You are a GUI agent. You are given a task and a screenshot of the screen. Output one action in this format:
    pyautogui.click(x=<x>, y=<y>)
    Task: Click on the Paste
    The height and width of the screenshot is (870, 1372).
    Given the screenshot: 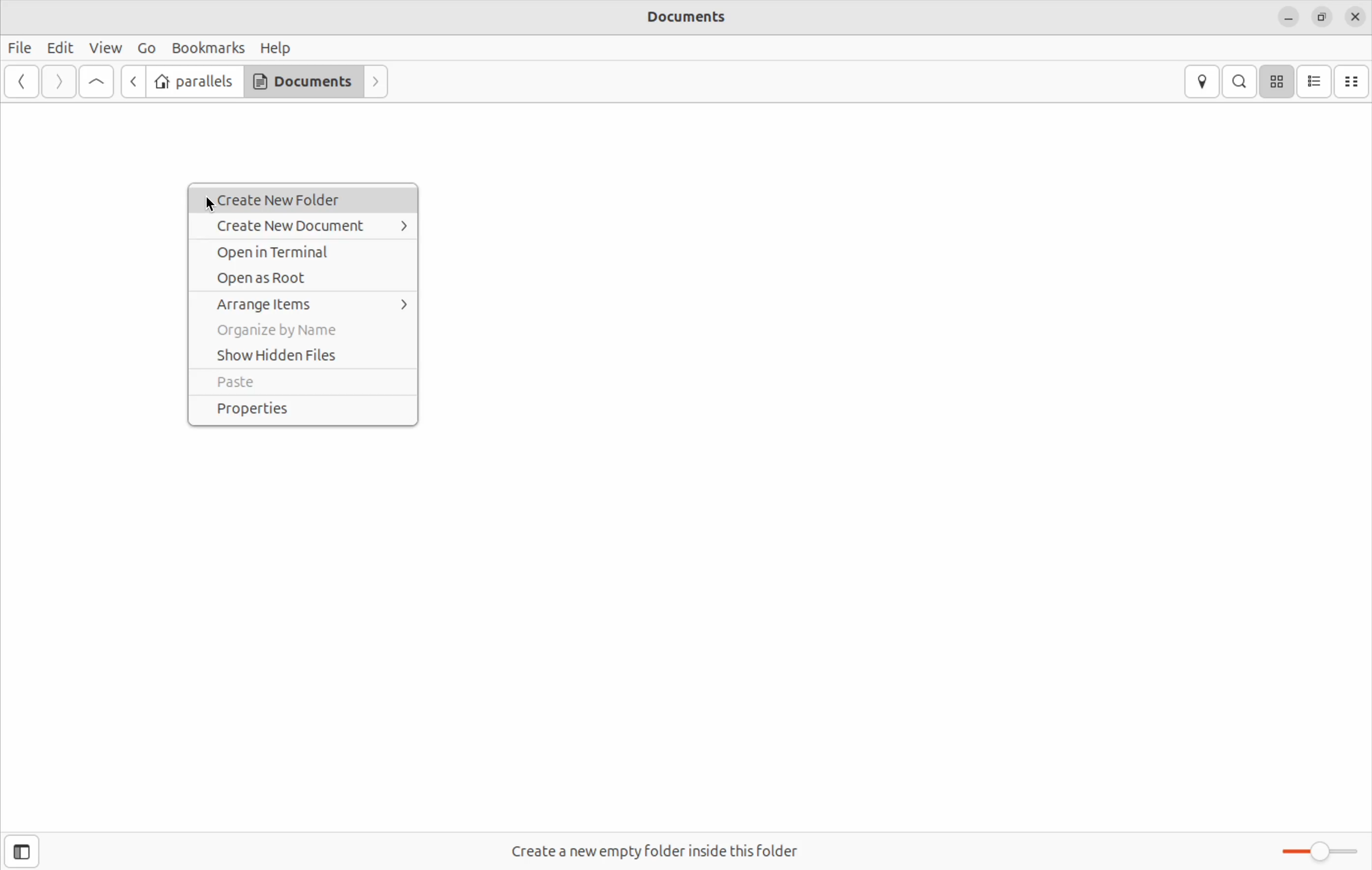 What is the action you would take?
    pyautogui.click(x=303, y=384)
    